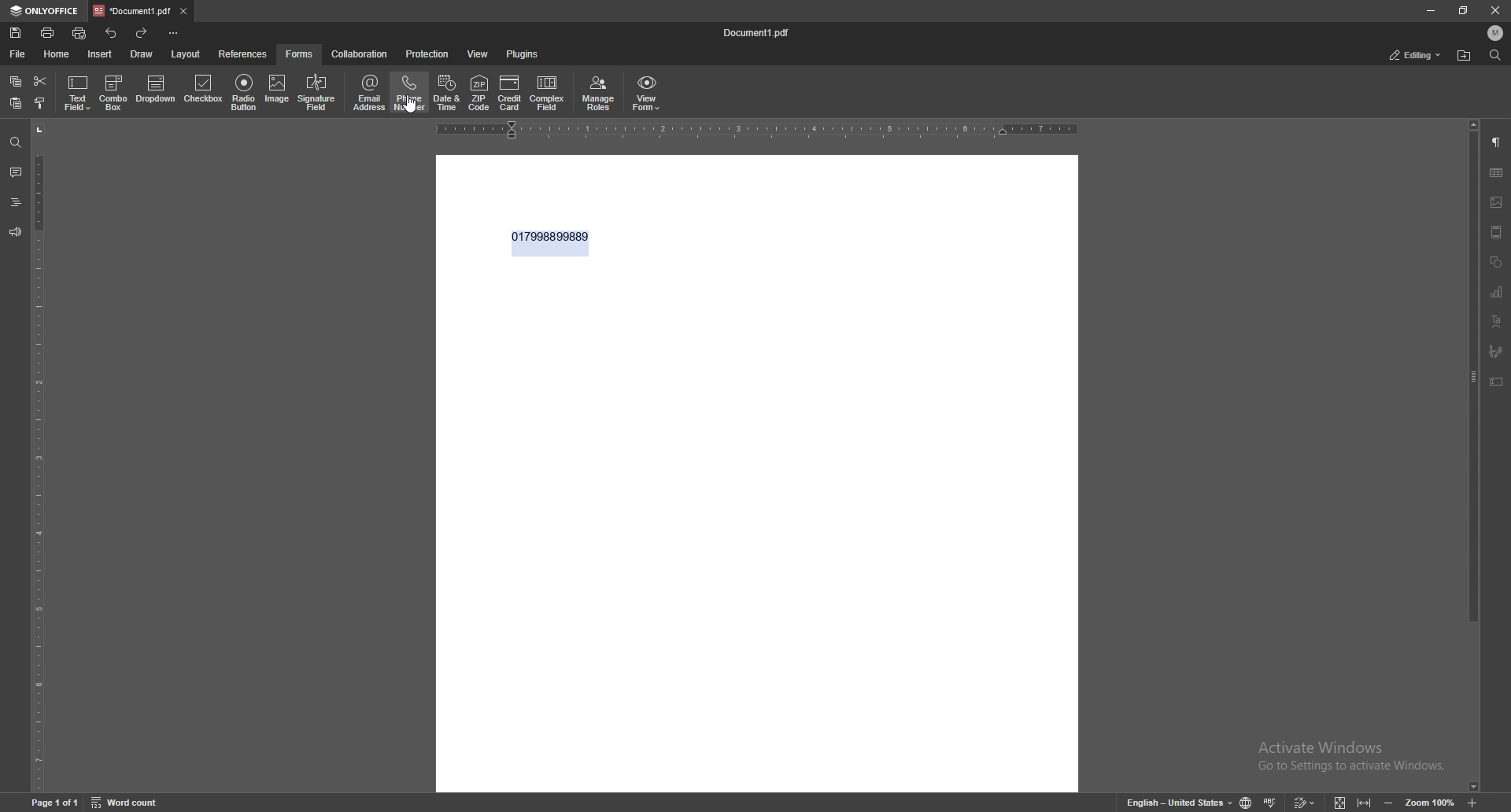 The width and height of the screenshot is (1511, 812). Describe the element at coordinates (1496, 322) in the screenshot. I see `text art` at that location.